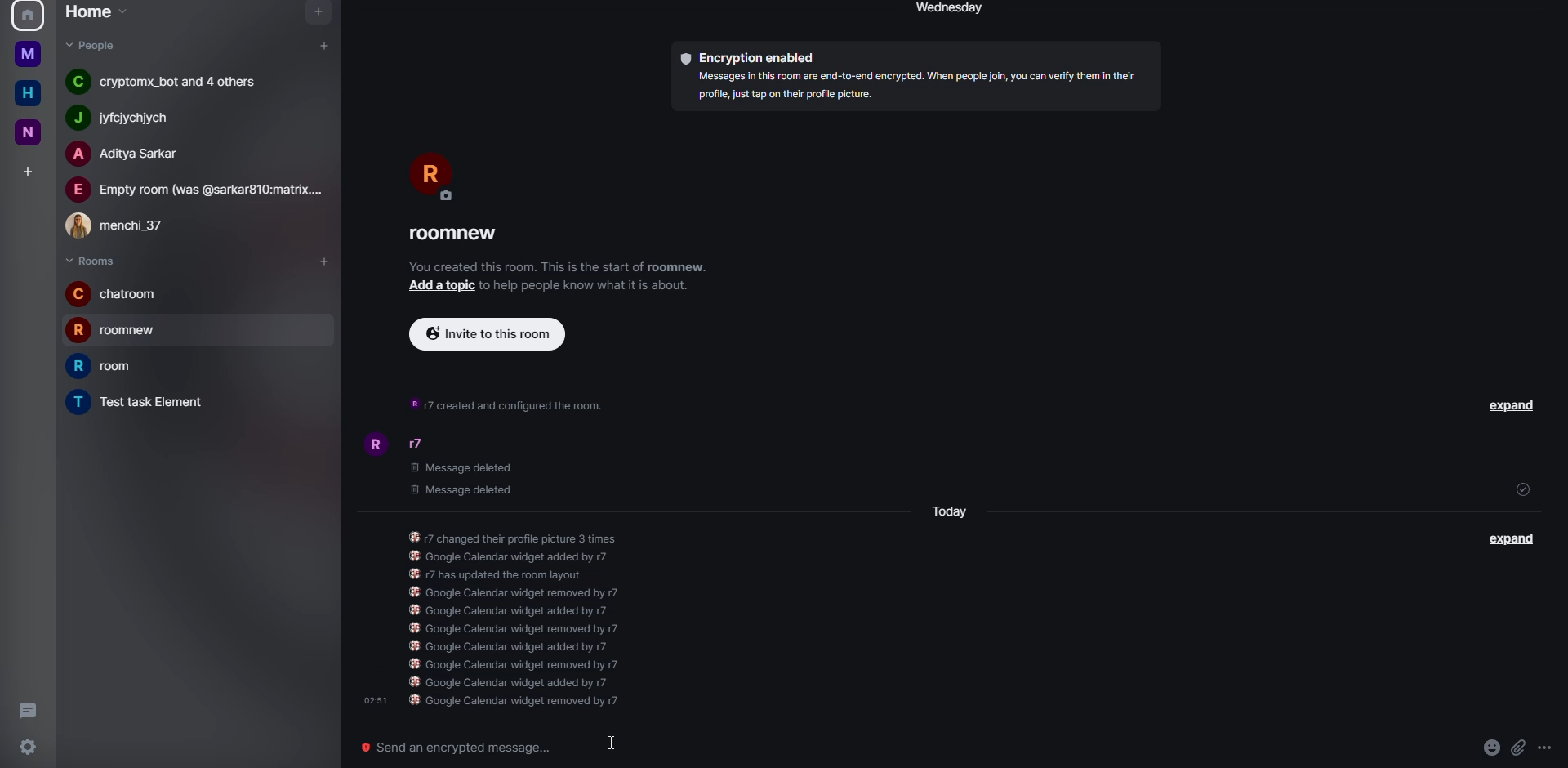 The image size is (1568, 768). I want to click on room, so click(144, 401).